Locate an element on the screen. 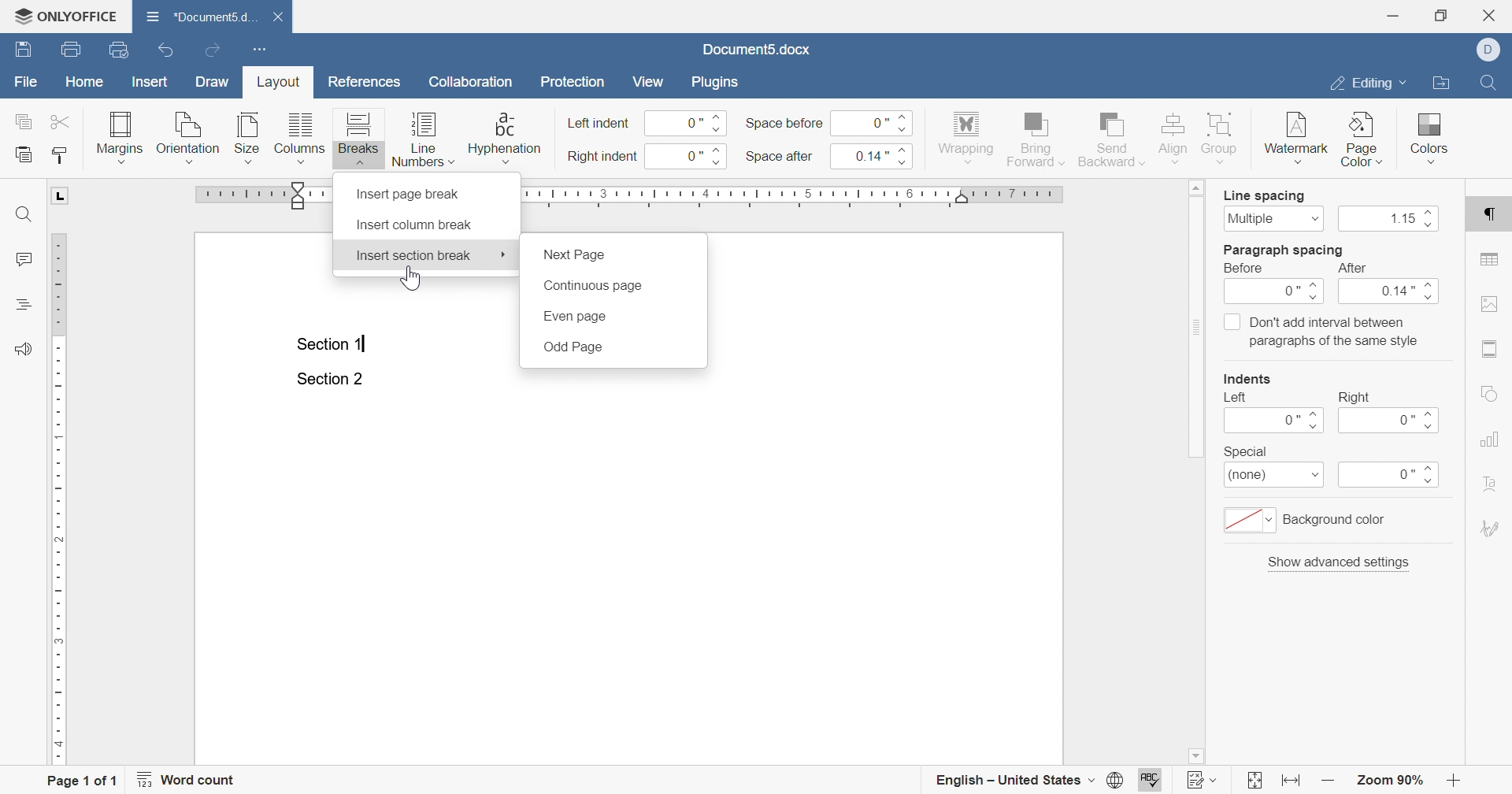  columns is located at coordinates (298, 137).